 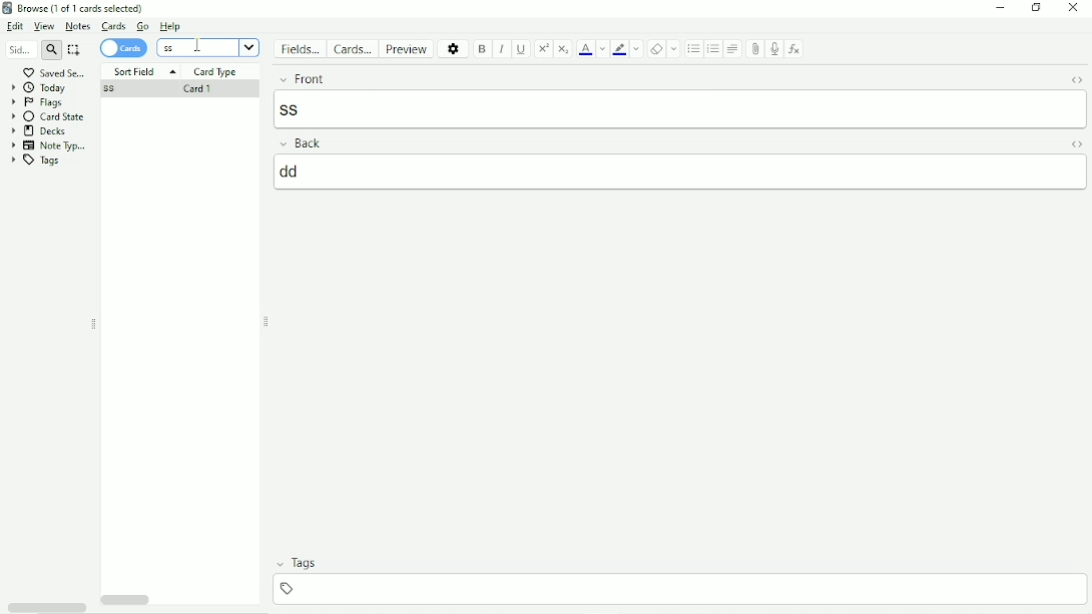 I want to click on Underline, so click(x=522, y=49).